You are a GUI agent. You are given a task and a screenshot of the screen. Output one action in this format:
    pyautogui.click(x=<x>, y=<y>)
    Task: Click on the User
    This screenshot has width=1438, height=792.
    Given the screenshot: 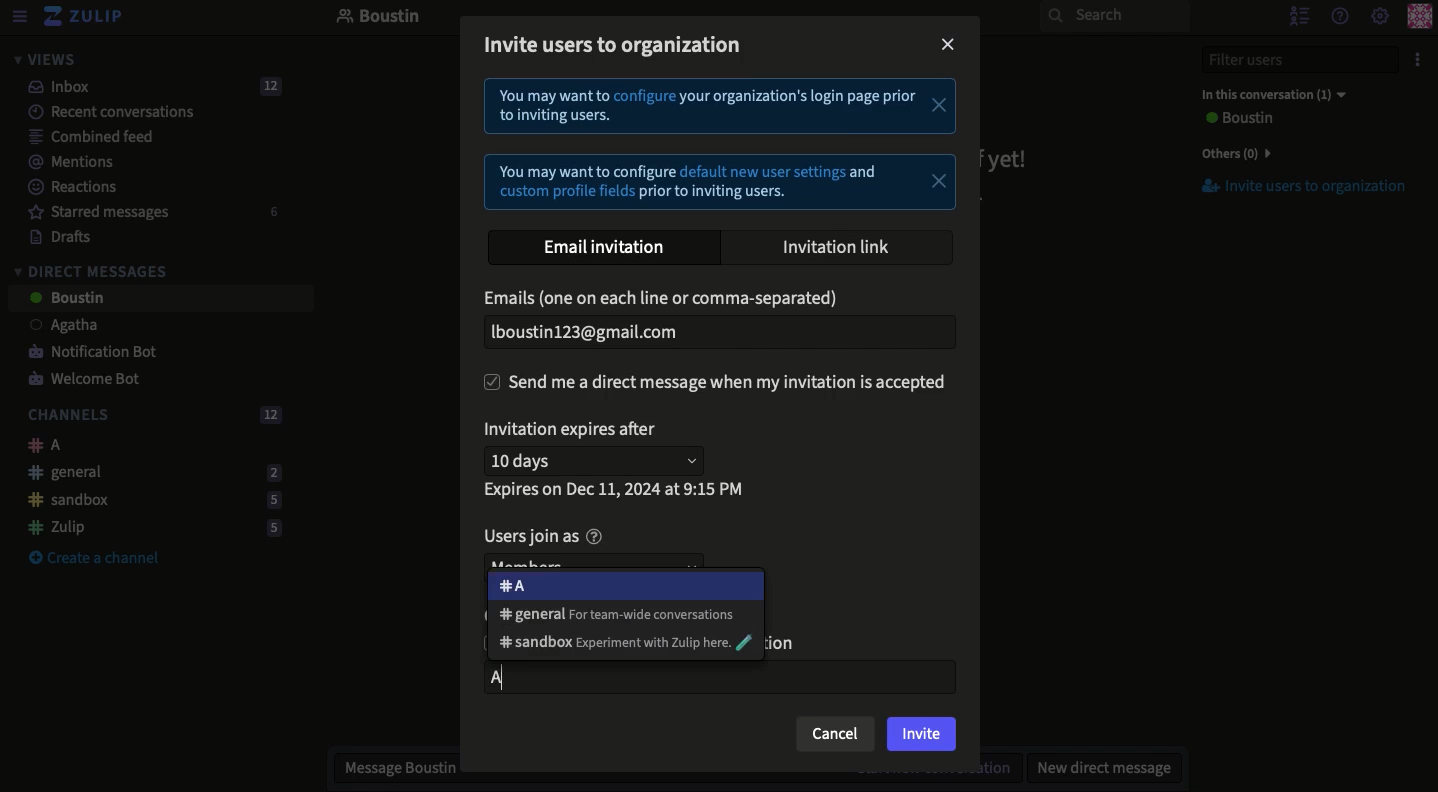 What is the action you would take?
    pyautogui.click(x=1236, y=119)
    